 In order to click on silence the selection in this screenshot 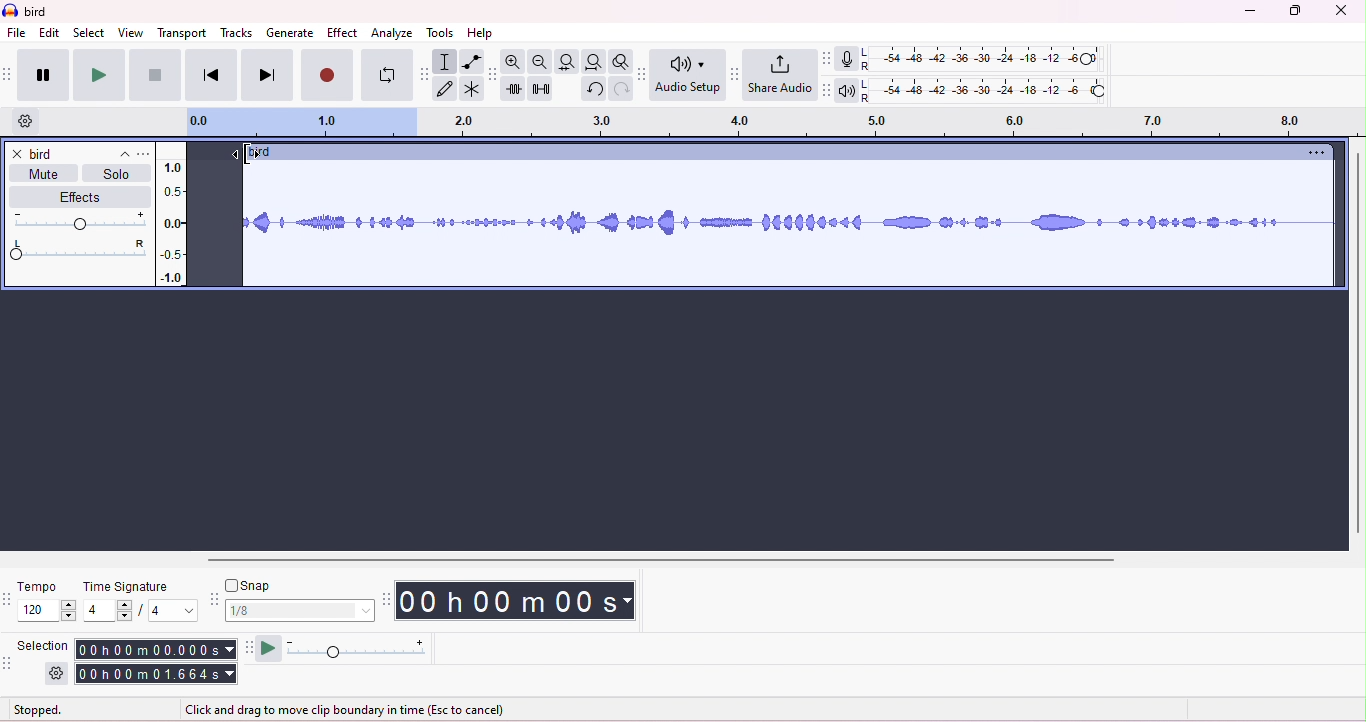, I will do `click(541, 90)`.